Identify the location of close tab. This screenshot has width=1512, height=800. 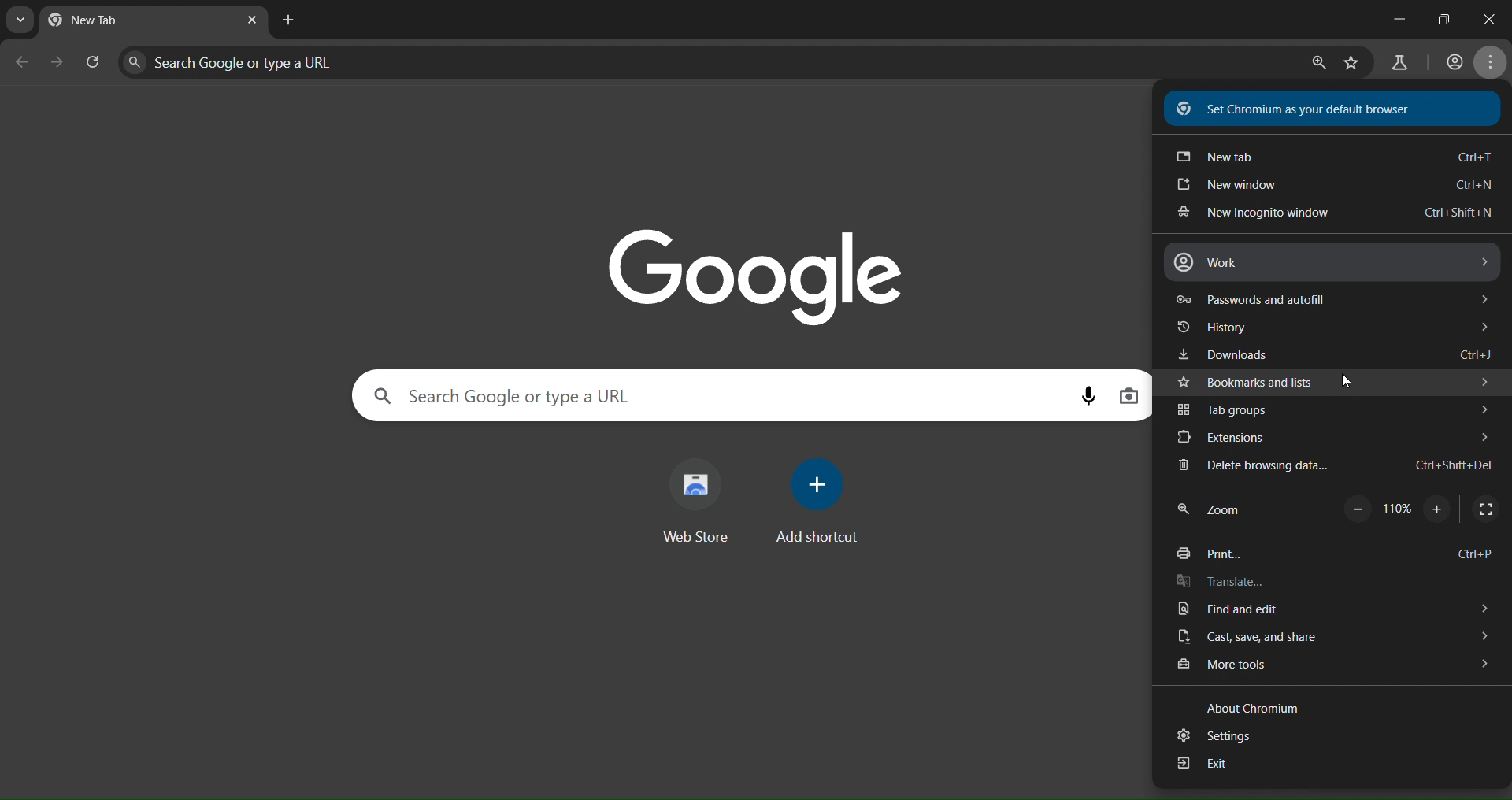
(254, 20).